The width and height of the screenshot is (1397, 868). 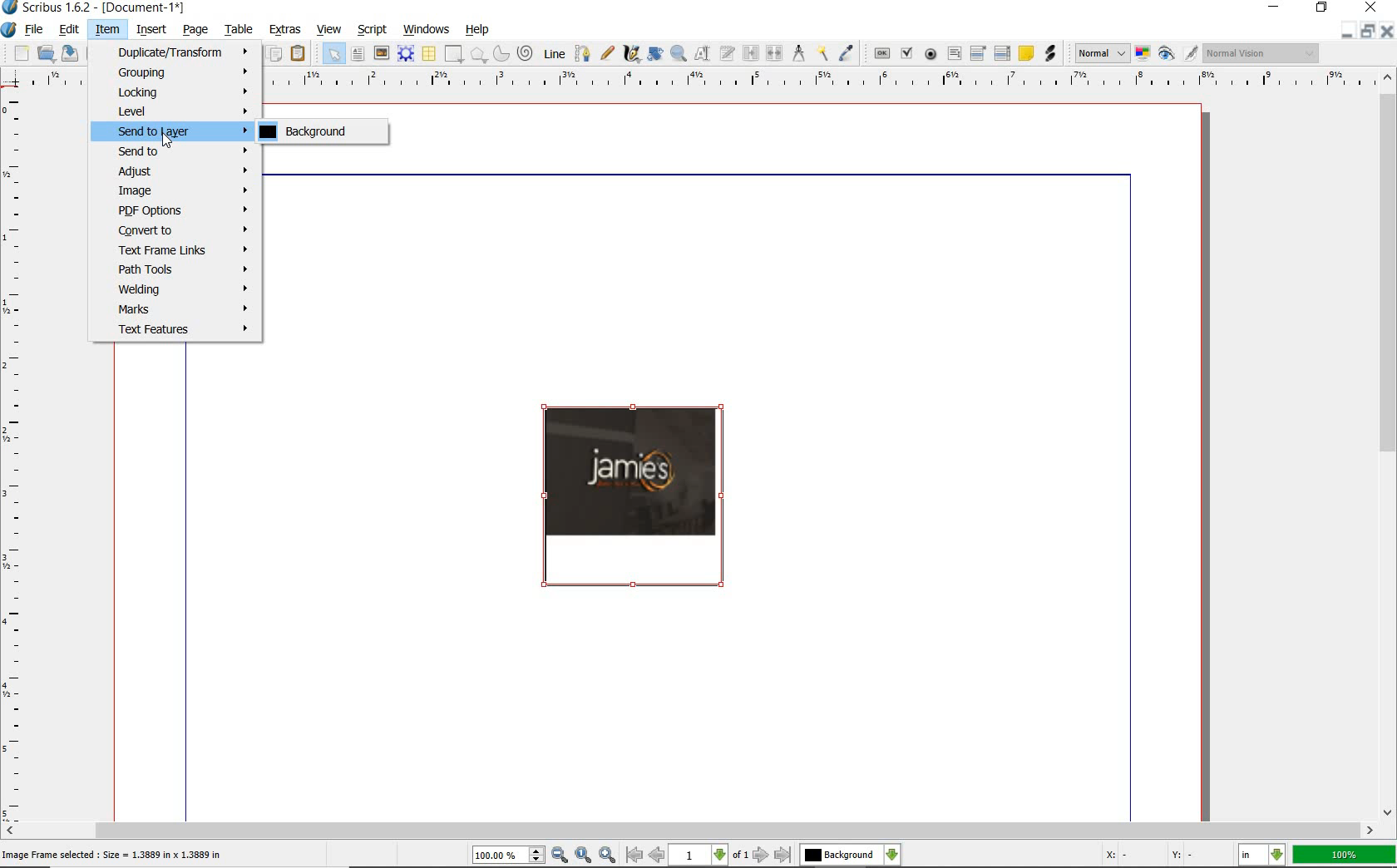 What do you see at coordinates (1177, 52) in the screenshot?
I see `preview mode` at bounding box center [1177, 52].